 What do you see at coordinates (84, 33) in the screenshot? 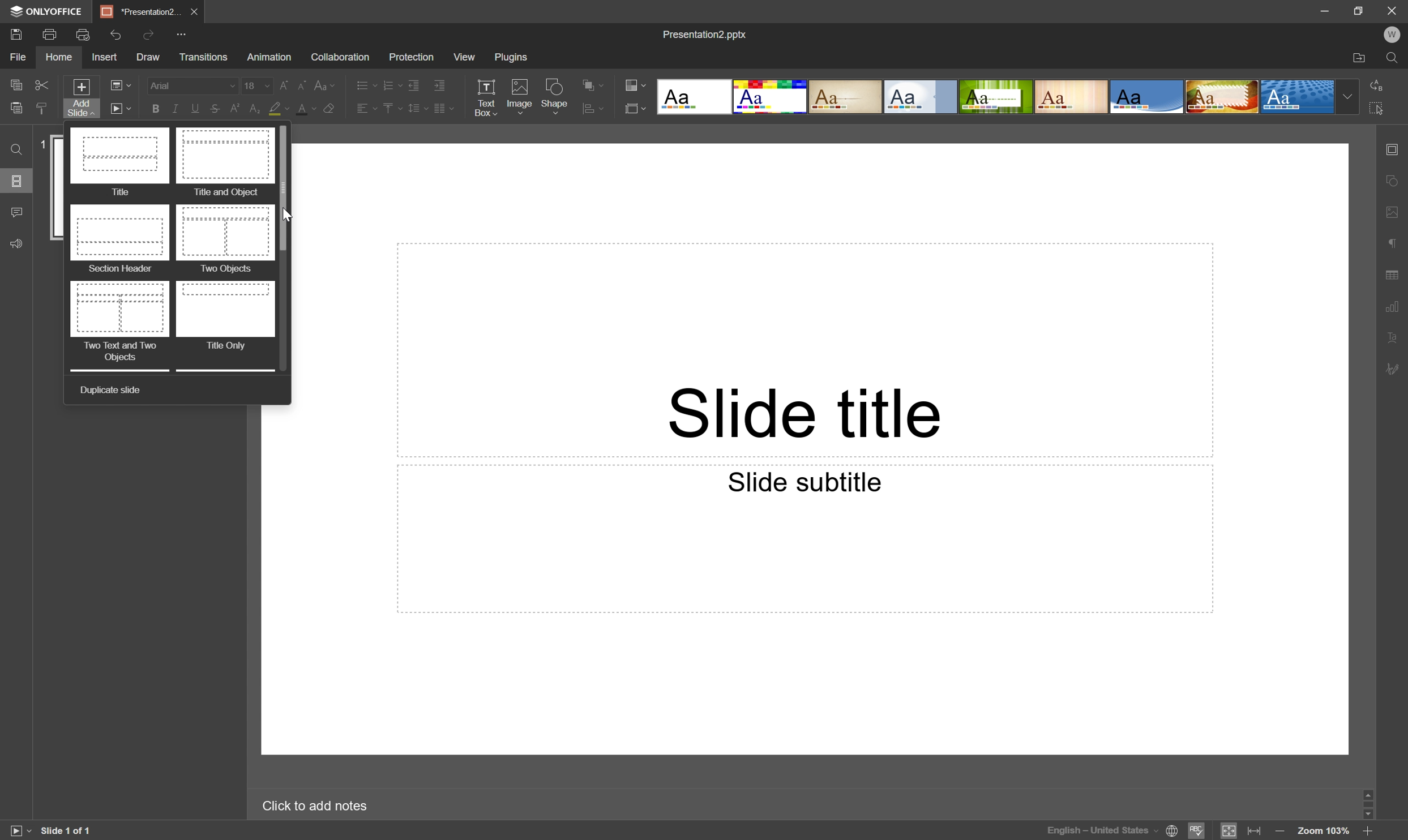
I see `Quick print` at bounding box center [84, 33].